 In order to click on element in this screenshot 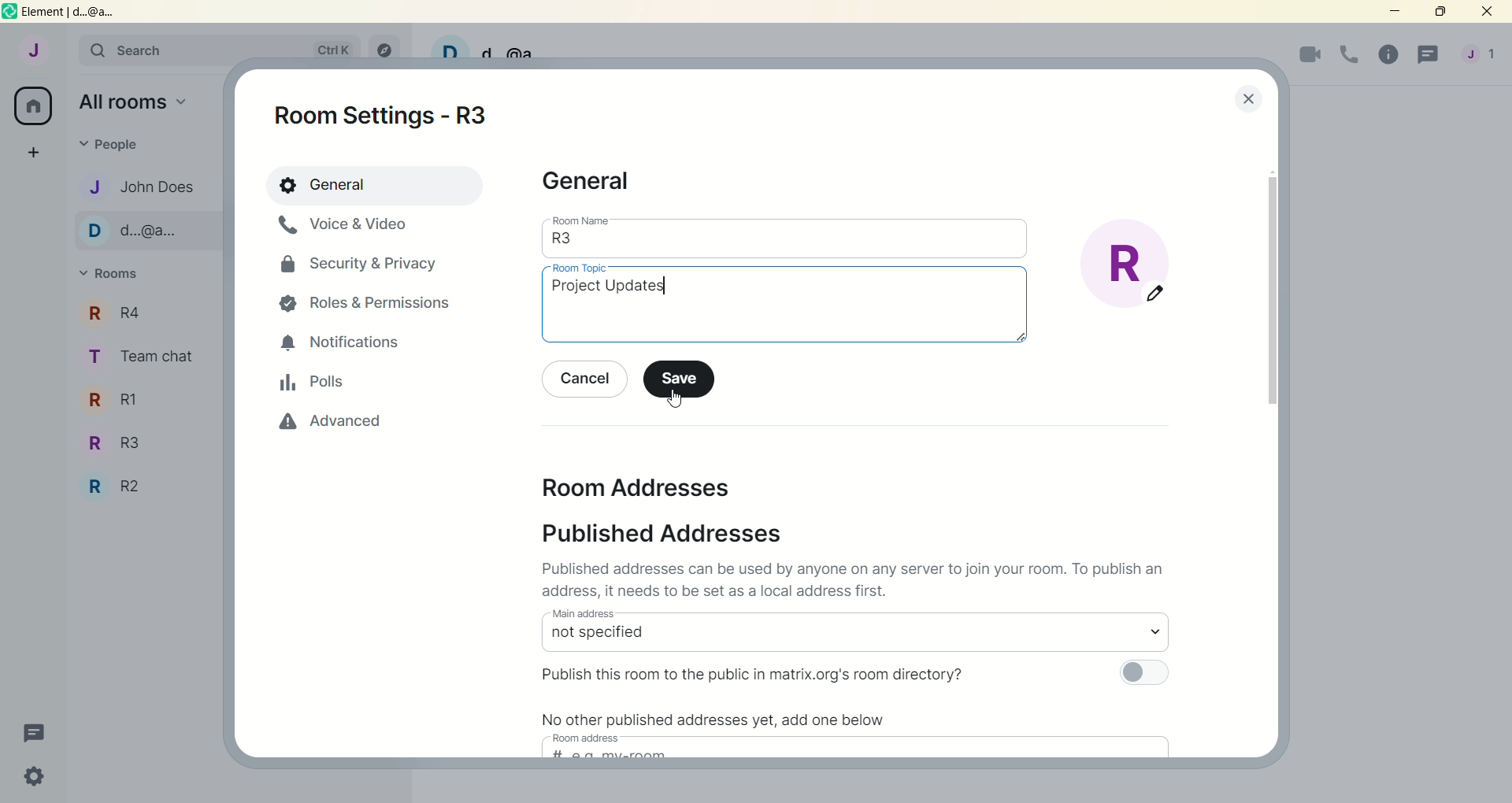, I will do `click(74, 13)`.